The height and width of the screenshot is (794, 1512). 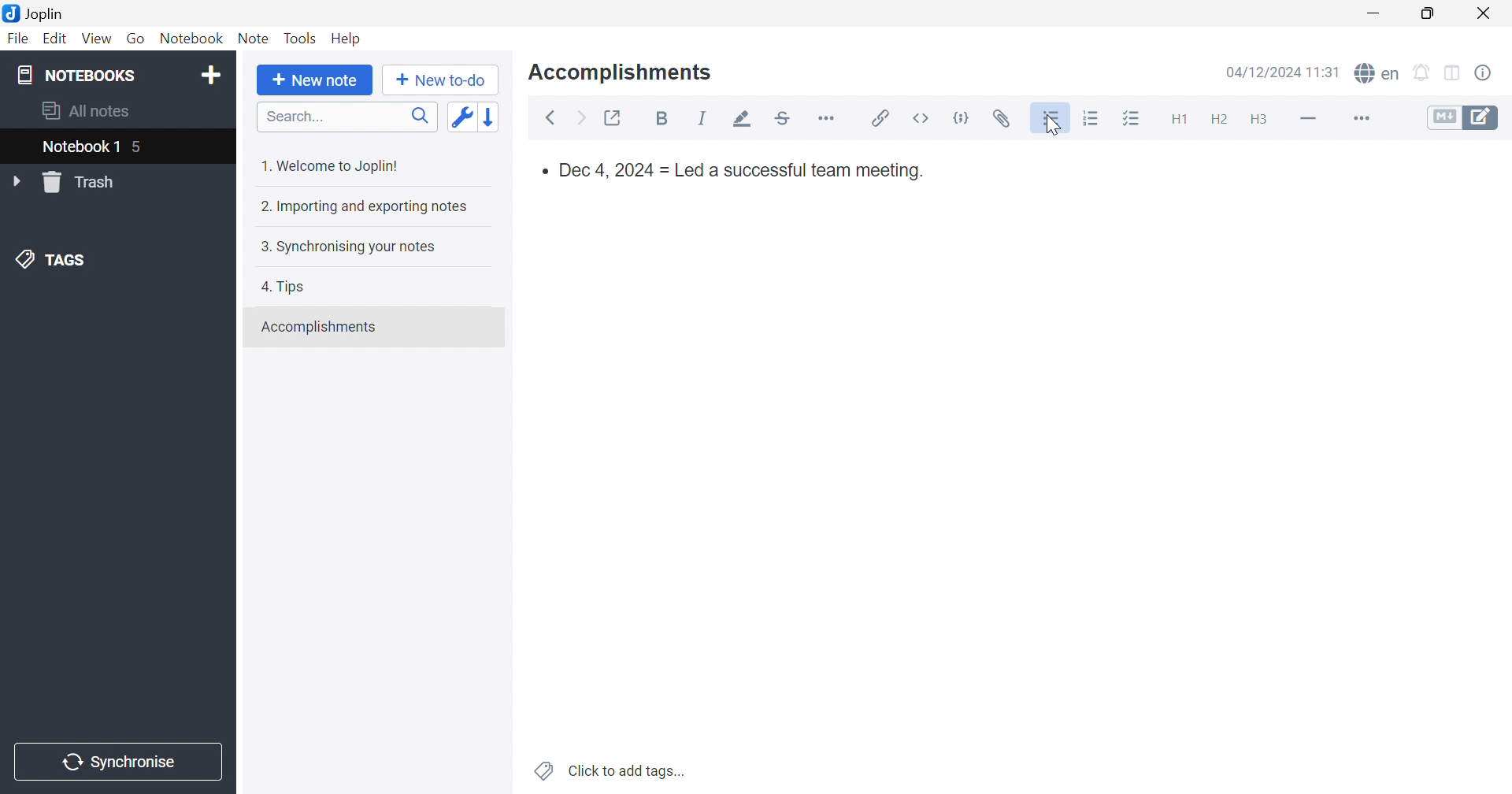 What do you see at coordinates (738, 172) in the screenshot?
I see `Dec 4, 2024 = Led a successful team meeting` at bounding box center [738, 172].